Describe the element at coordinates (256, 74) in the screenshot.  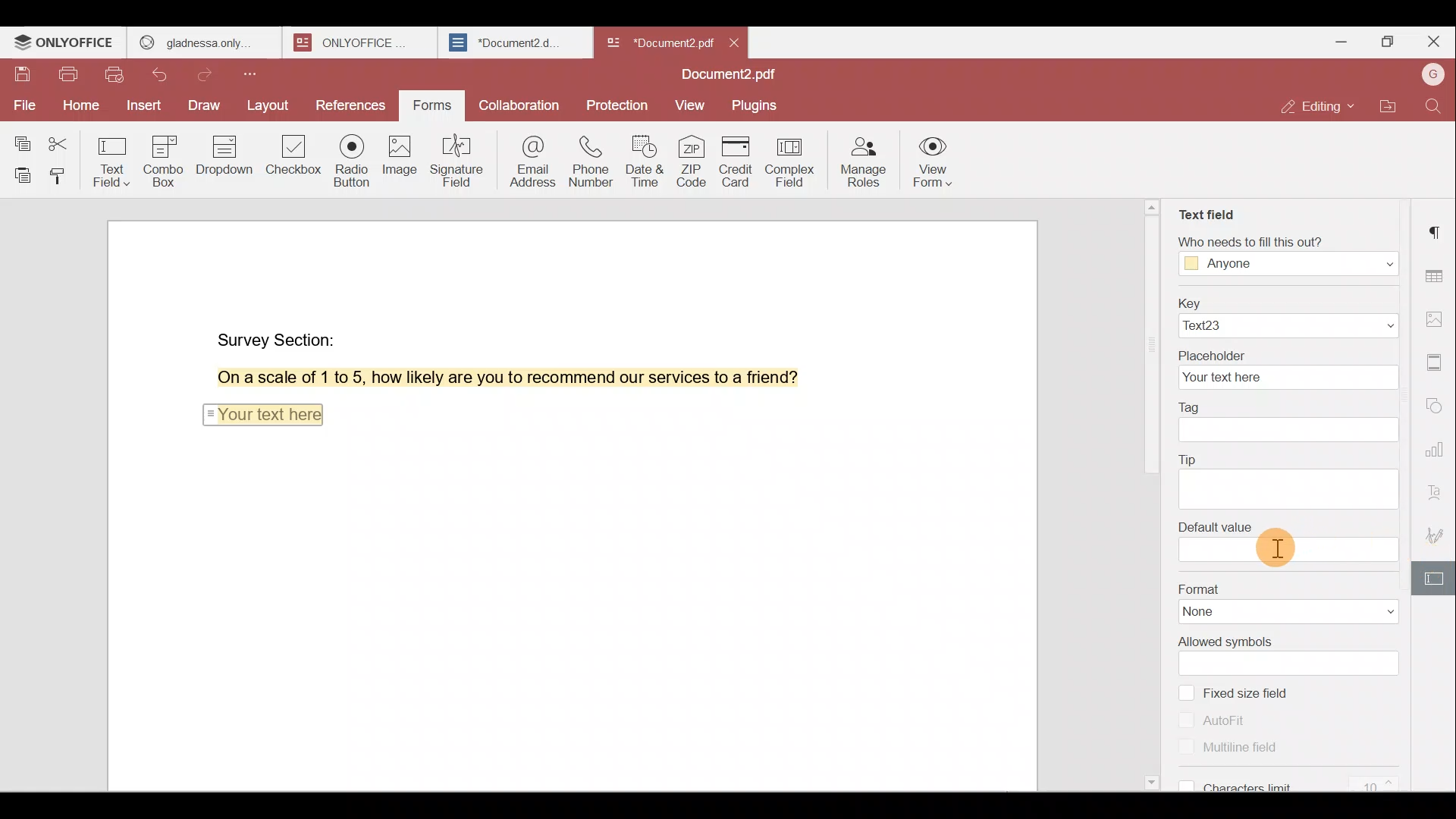
I see `Customize quick access toolbar` at that location.